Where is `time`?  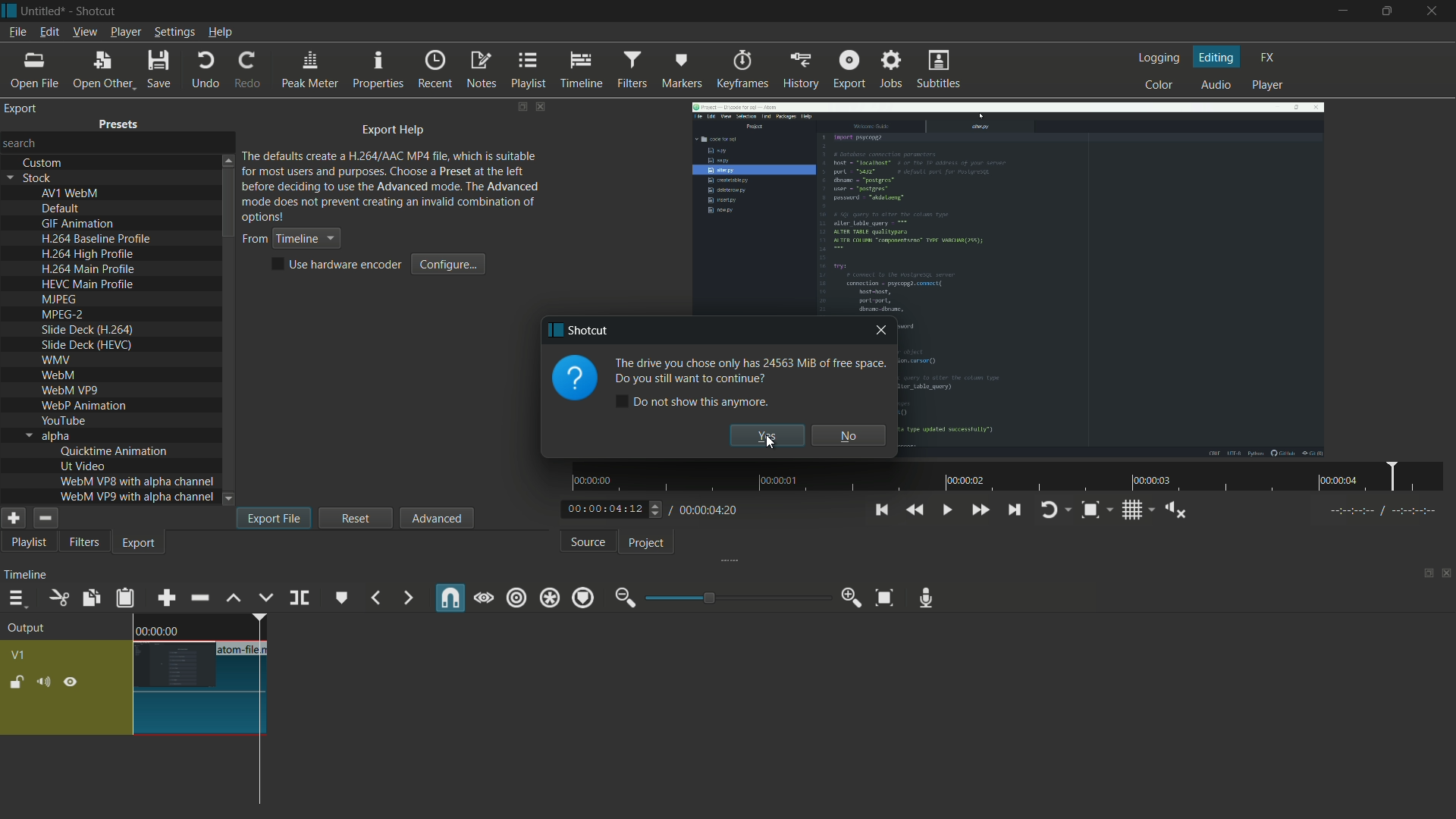
time is located at coordinates (157, 630).